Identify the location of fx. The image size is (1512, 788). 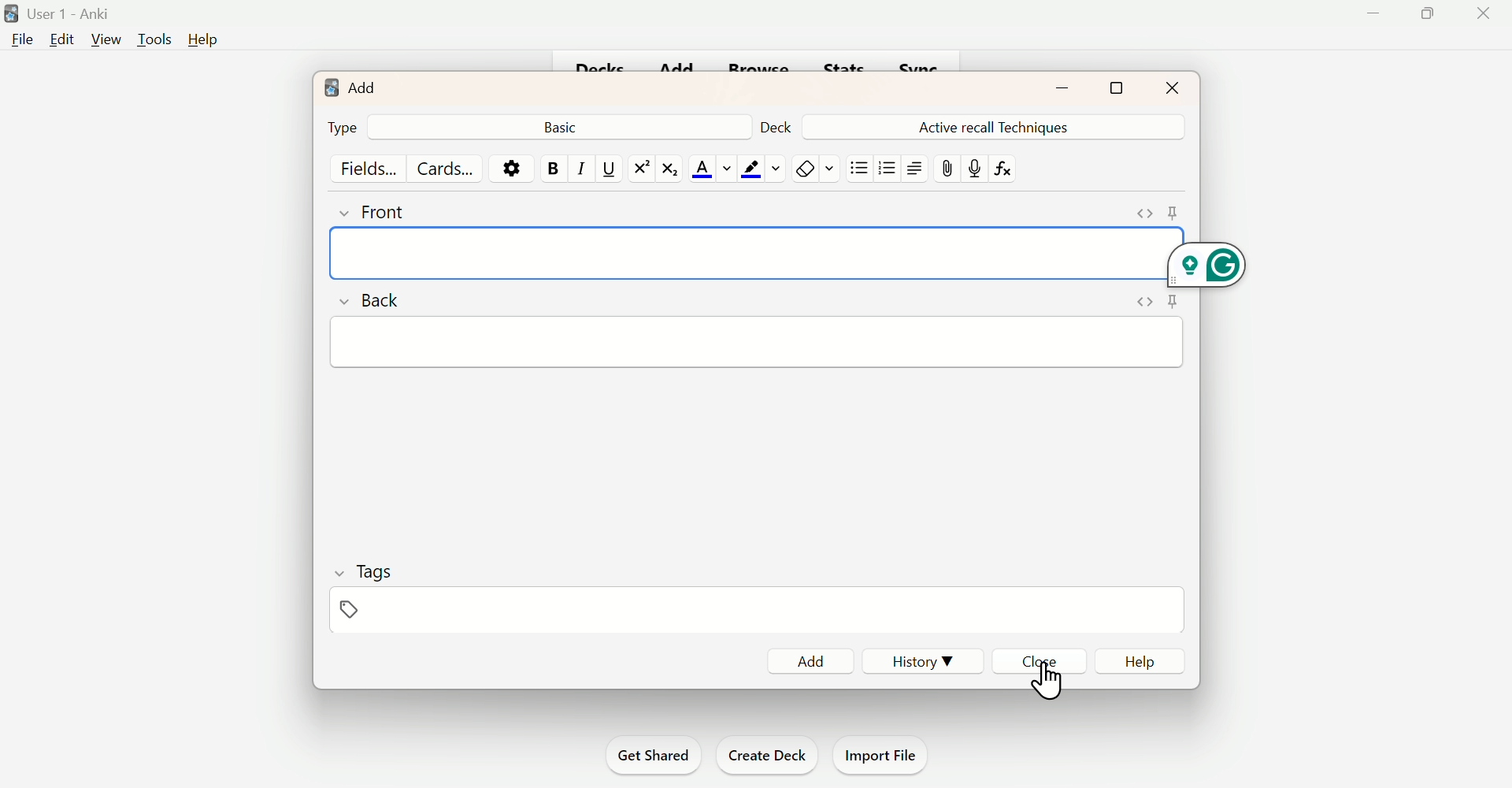
(1014, 174).